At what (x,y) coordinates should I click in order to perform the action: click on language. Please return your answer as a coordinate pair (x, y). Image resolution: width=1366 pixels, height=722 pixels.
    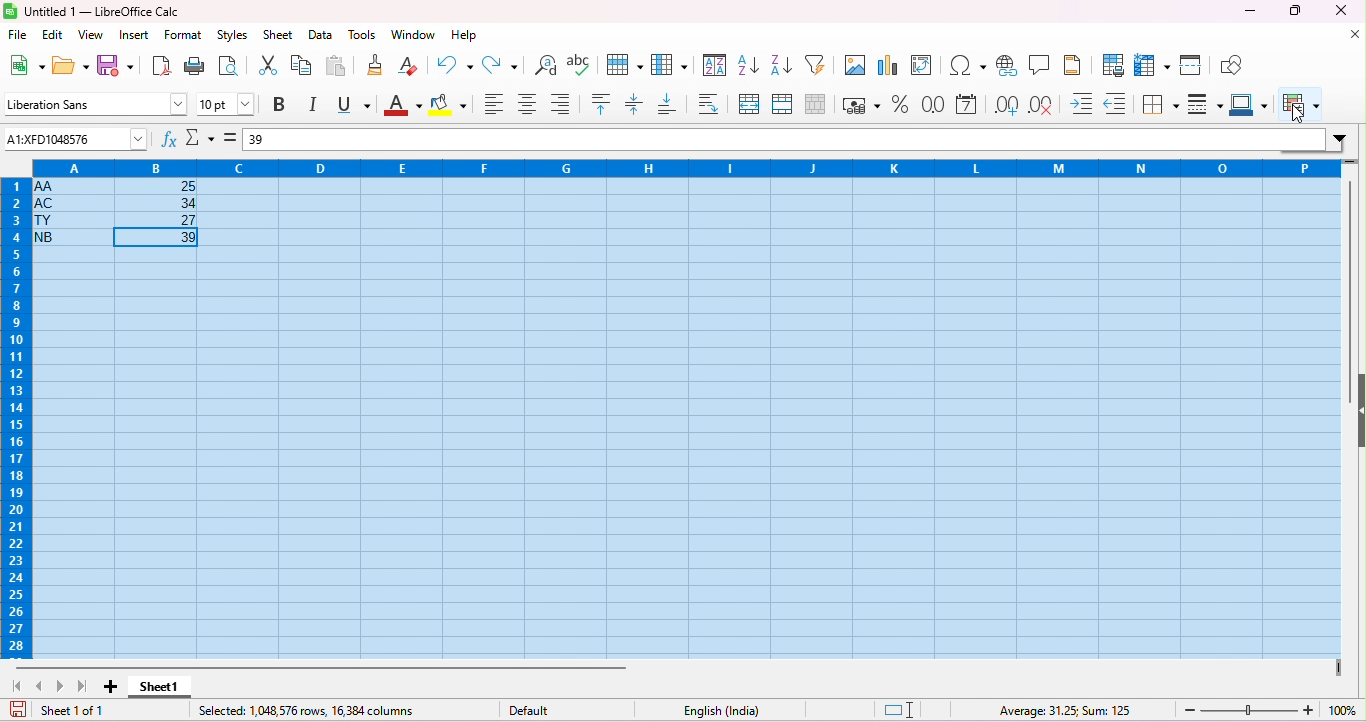
    Looking at the image, I should click on (715, 708).